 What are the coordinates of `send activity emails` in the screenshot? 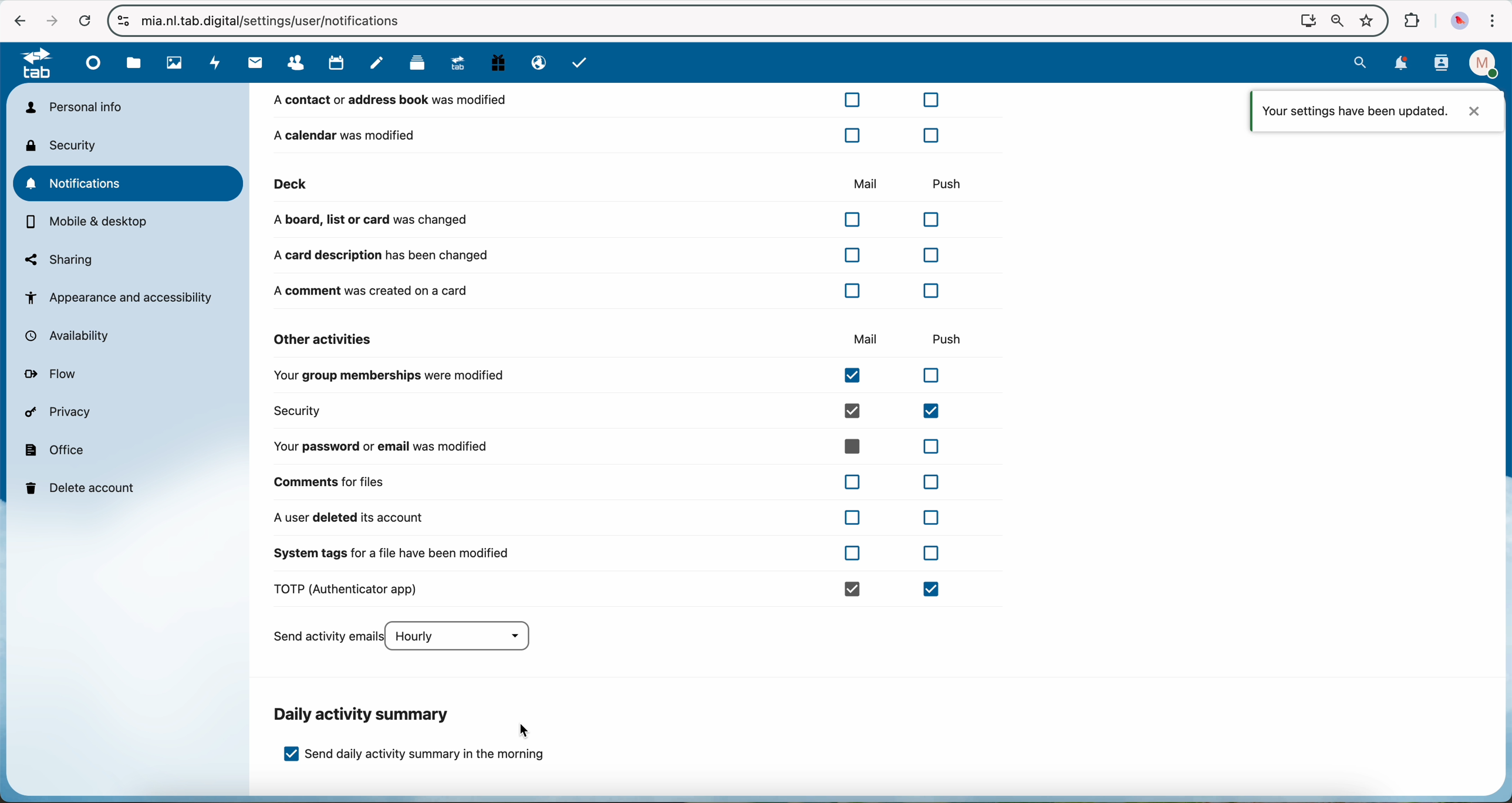 It's located at (408, 637).